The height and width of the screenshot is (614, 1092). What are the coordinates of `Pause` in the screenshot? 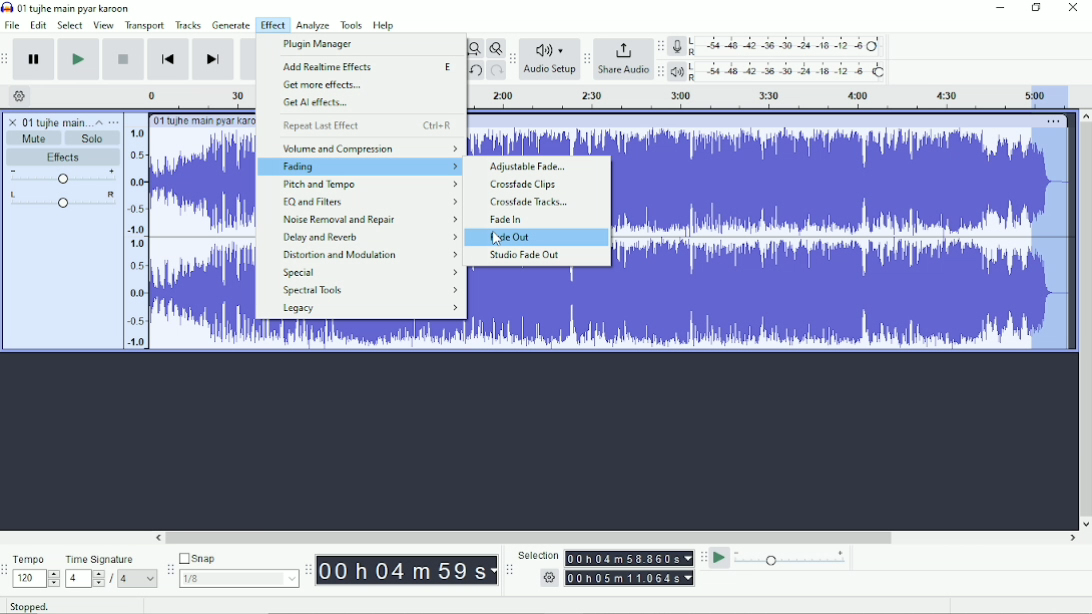 It's located at (34, 59).